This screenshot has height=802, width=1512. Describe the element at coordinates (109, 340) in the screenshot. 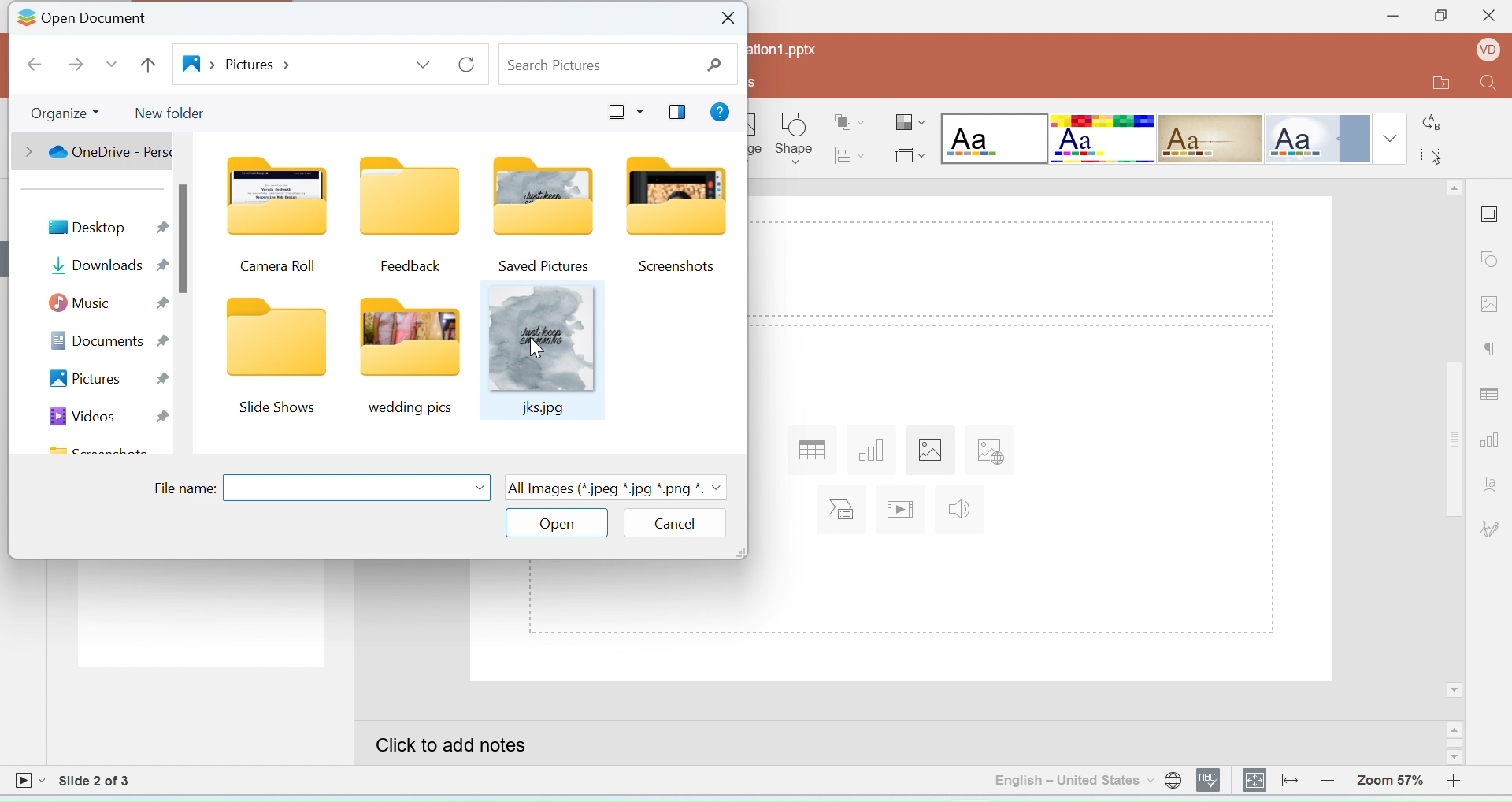

I see `documents` at that location.